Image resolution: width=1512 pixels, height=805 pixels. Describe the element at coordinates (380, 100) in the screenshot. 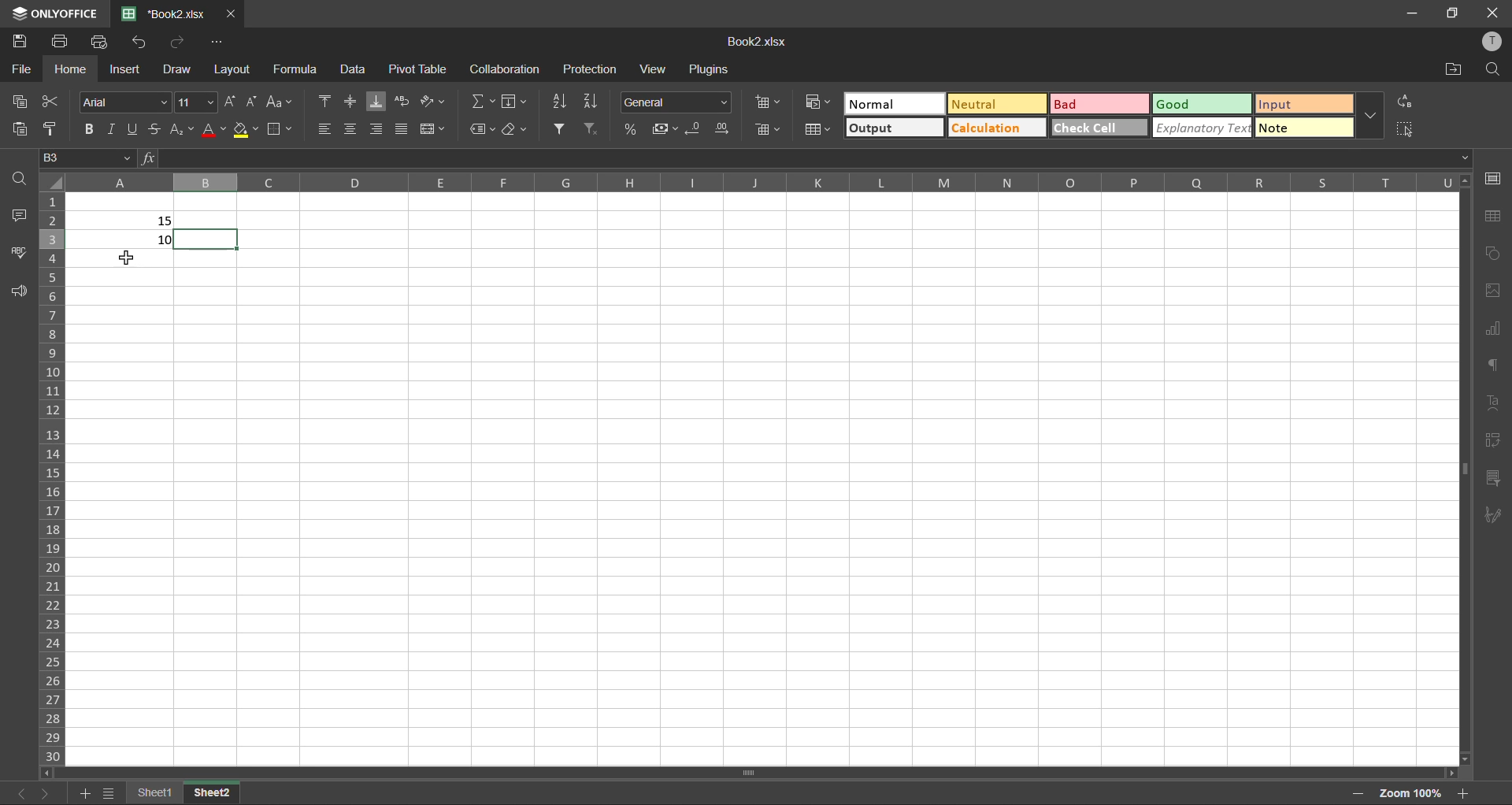

I see `align bottom` at that location.